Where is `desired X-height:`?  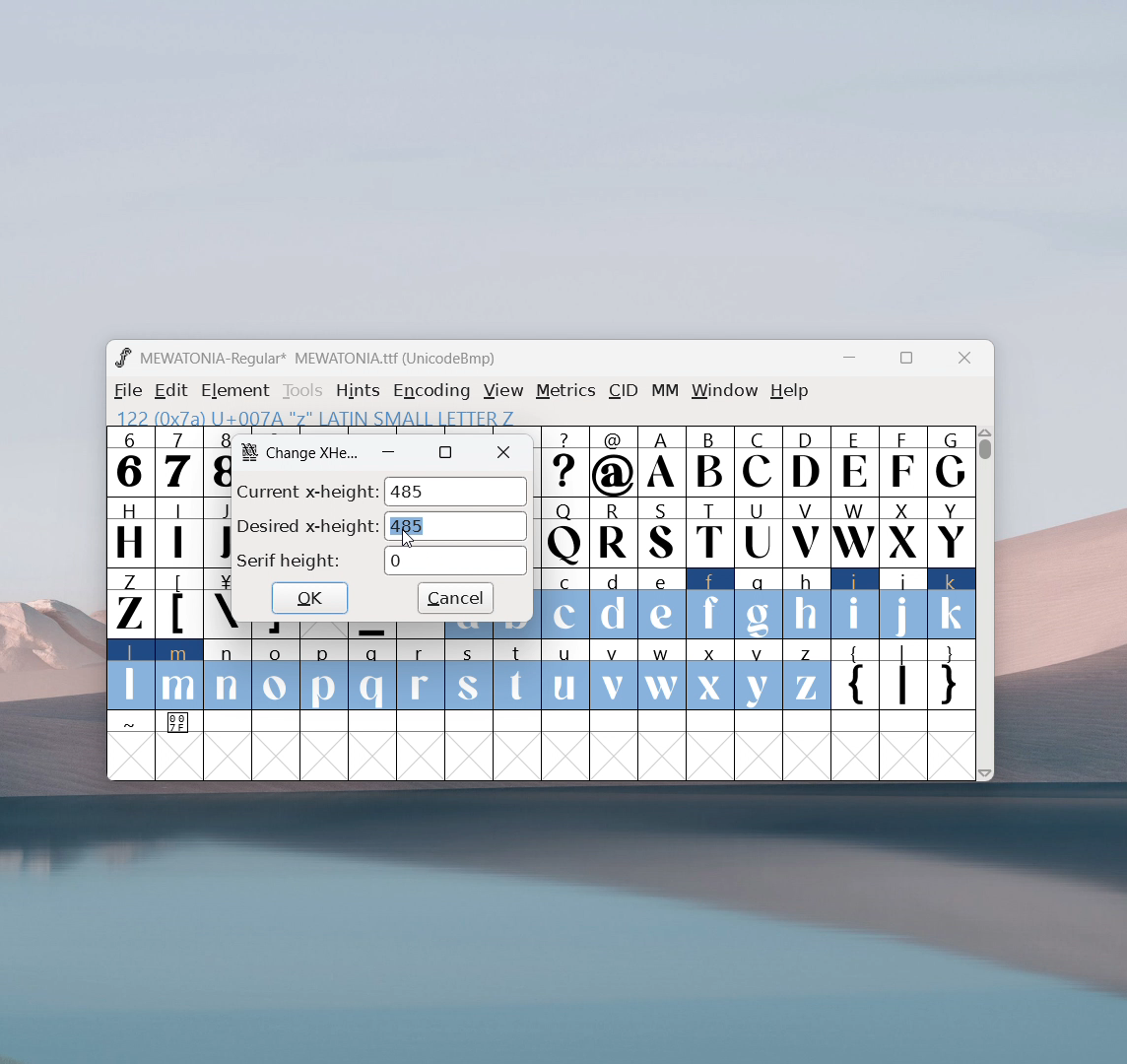
desired X-height: is located at coordinates (307, 525).